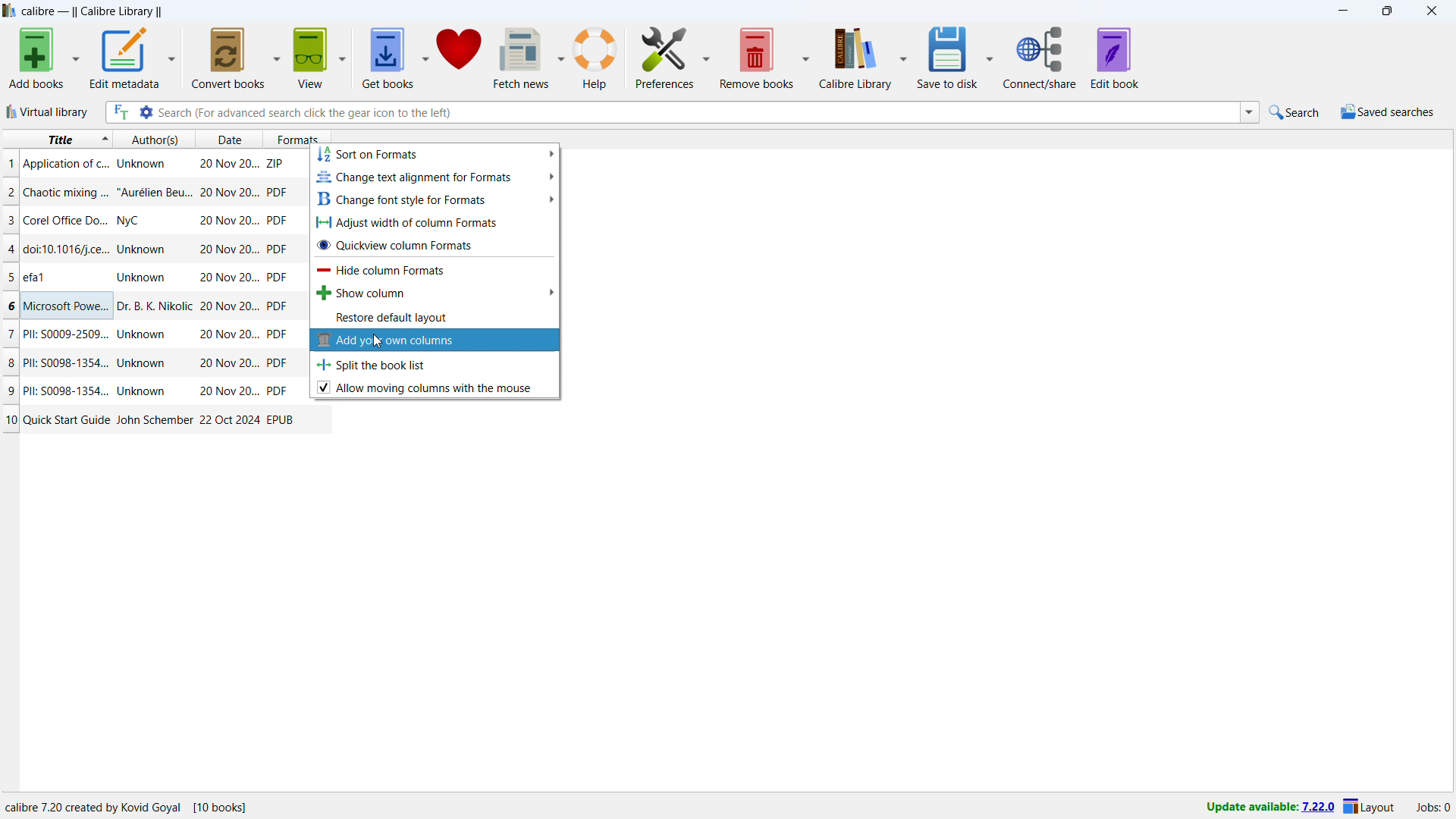  Describe the element at coordinates (154, 306) in the screenshot. I see `author` at that location.